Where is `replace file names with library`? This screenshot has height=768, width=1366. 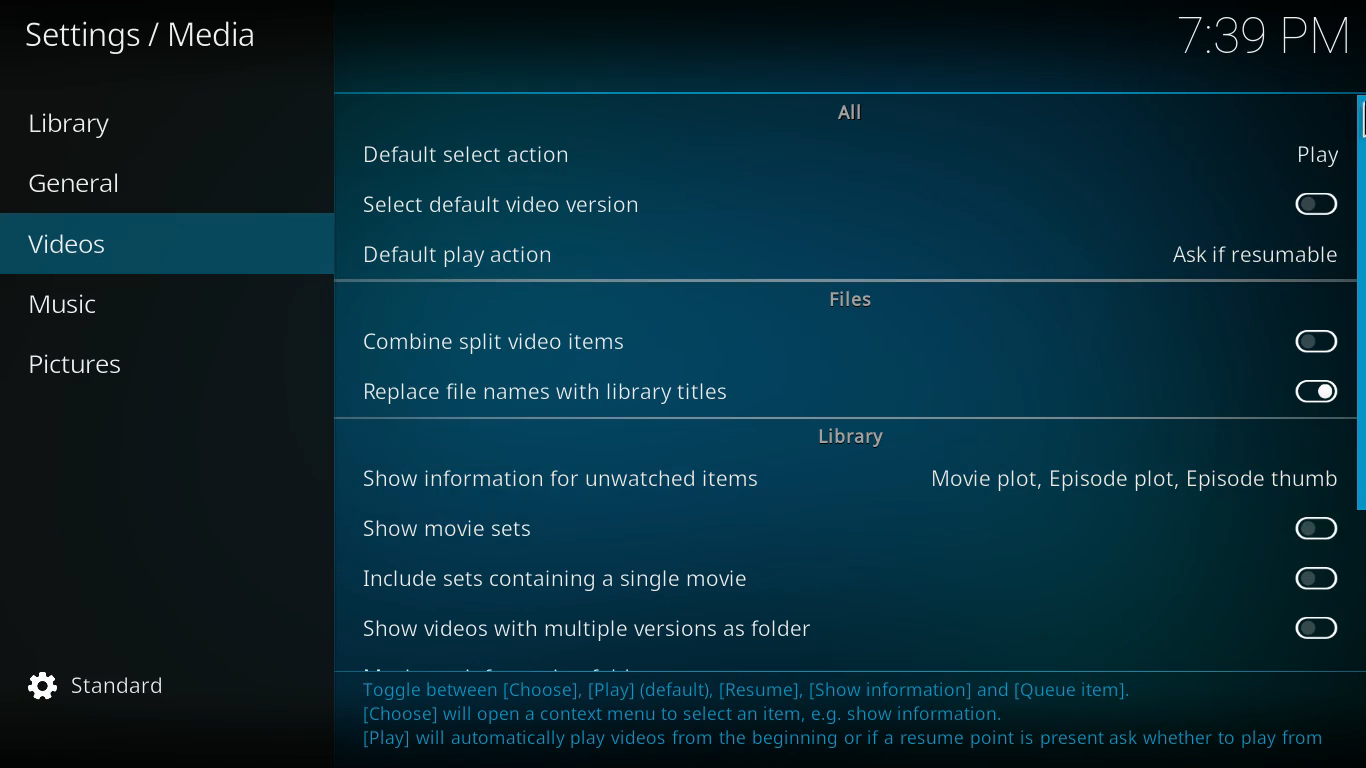
replace file names with library is located at coordinates (555, 396).